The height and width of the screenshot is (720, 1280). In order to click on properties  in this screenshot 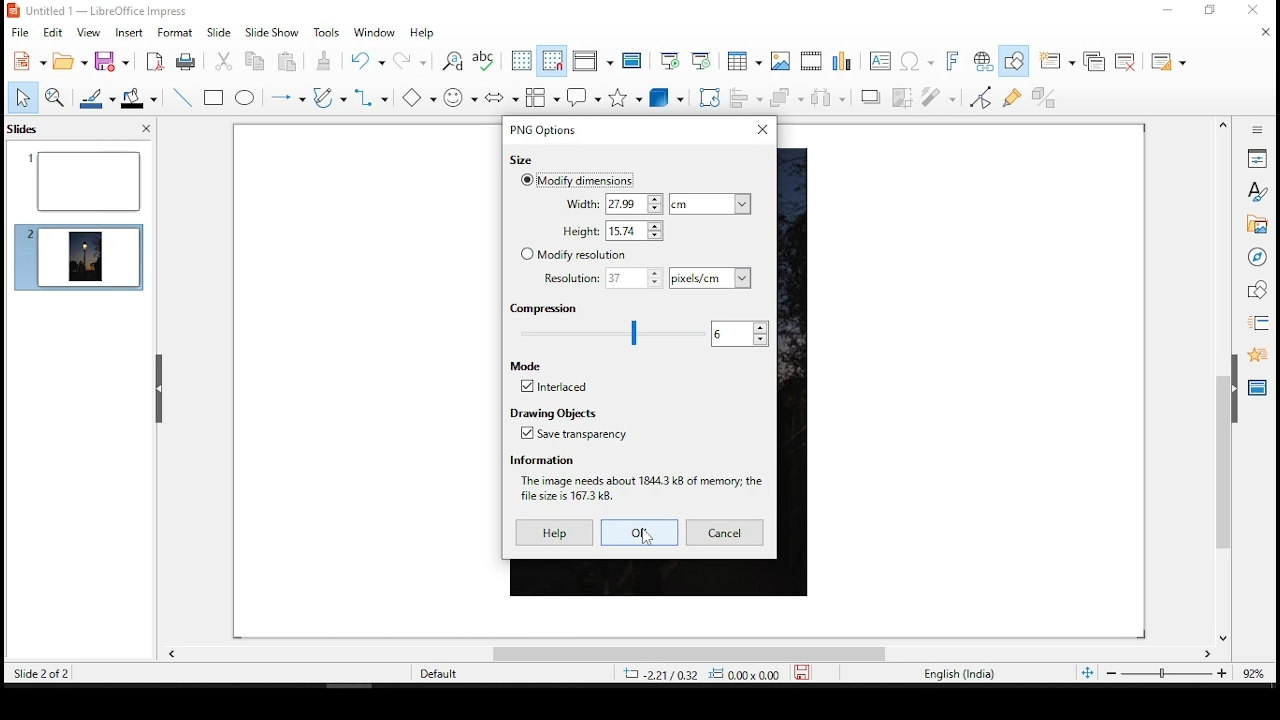, I will do `click(1257, 157)`.